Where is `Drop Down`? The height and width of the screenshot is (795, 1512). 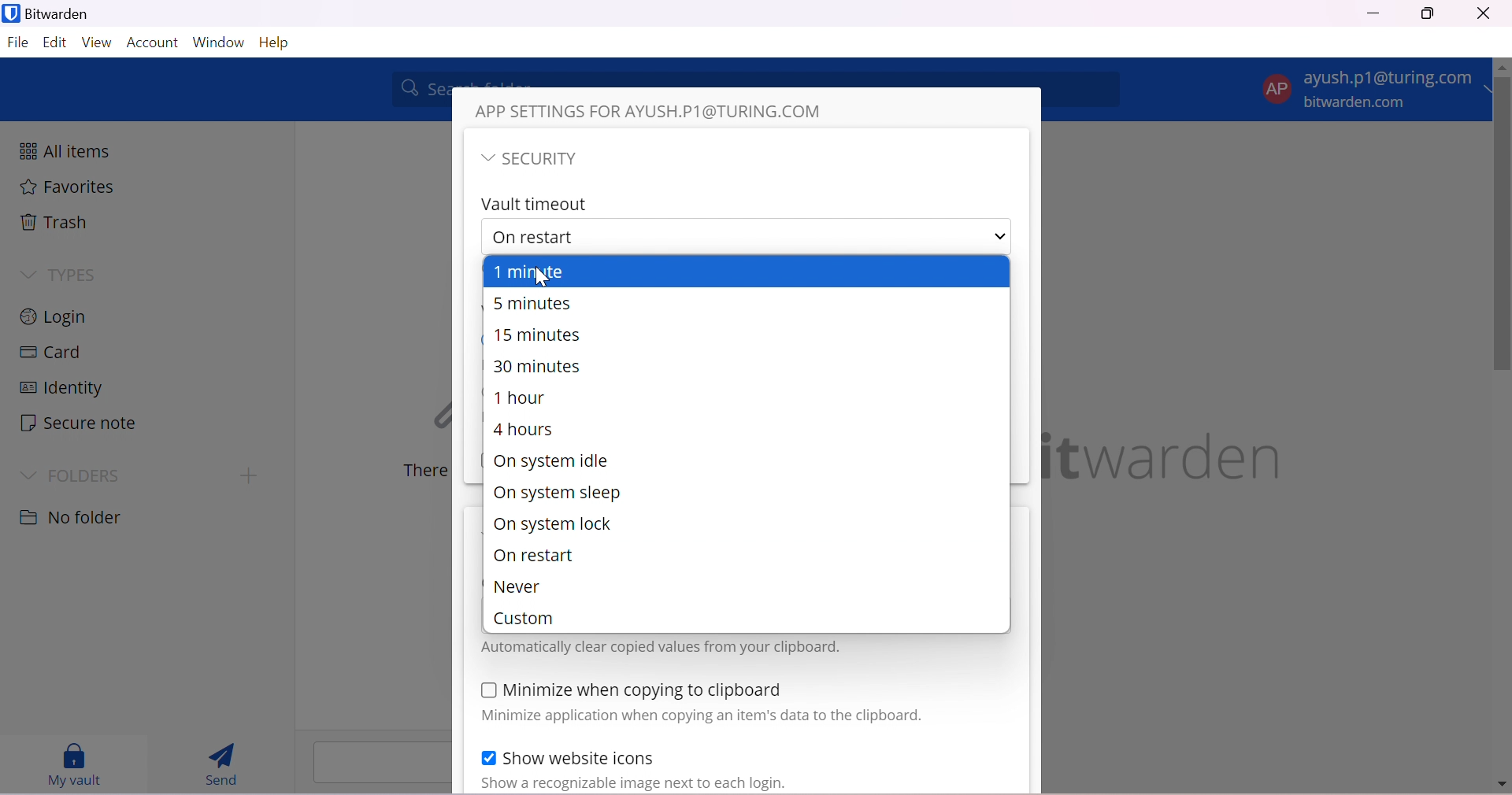
Drop Down is located at coordinates (27, 275).